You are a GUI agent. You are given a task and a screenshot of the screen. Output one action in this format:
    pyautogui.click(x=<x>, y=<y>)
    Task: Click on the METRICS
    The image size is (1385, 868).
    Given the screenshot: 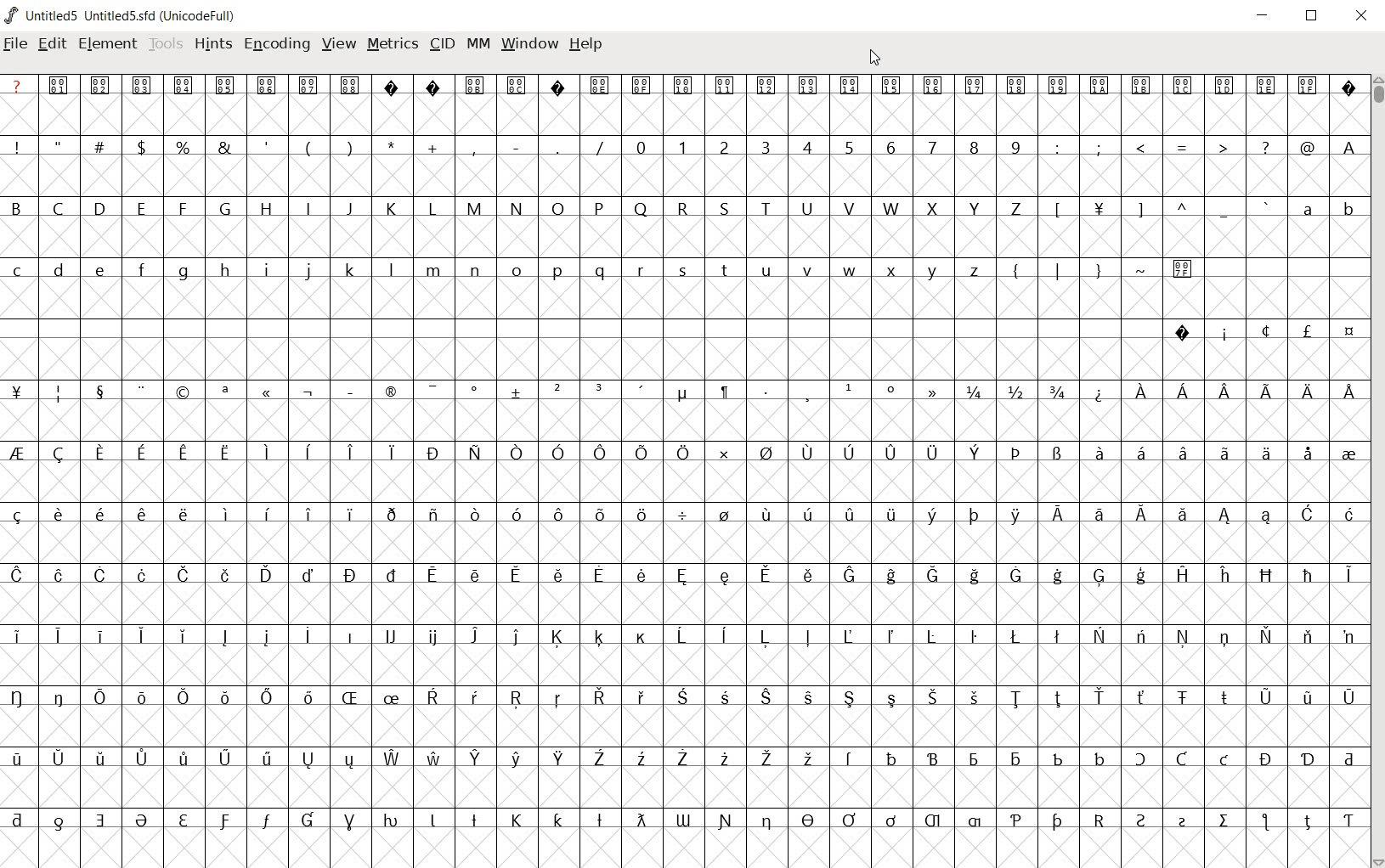 What is the action you would take?
    pyautogui.click(x=391, y=46)
    